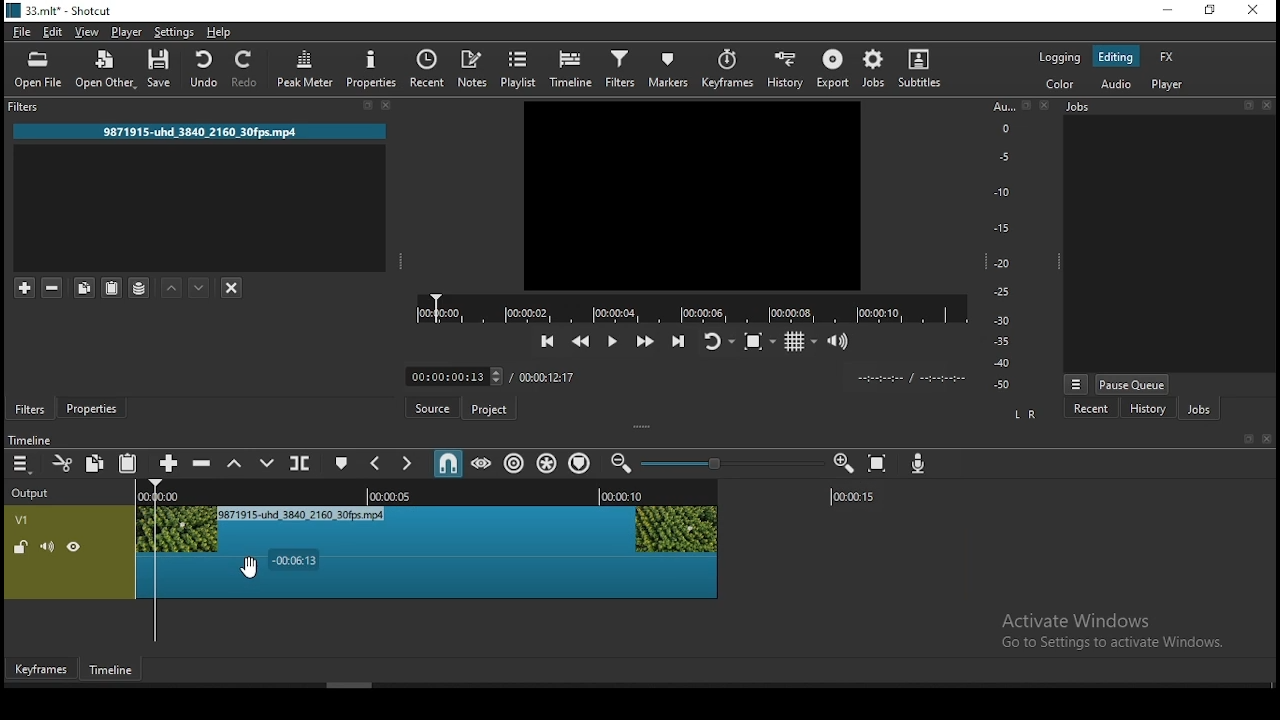  What do you see at coordinates (74, 547) in the screenshot?
I see `view/hide` at bounding box center [74, 547].